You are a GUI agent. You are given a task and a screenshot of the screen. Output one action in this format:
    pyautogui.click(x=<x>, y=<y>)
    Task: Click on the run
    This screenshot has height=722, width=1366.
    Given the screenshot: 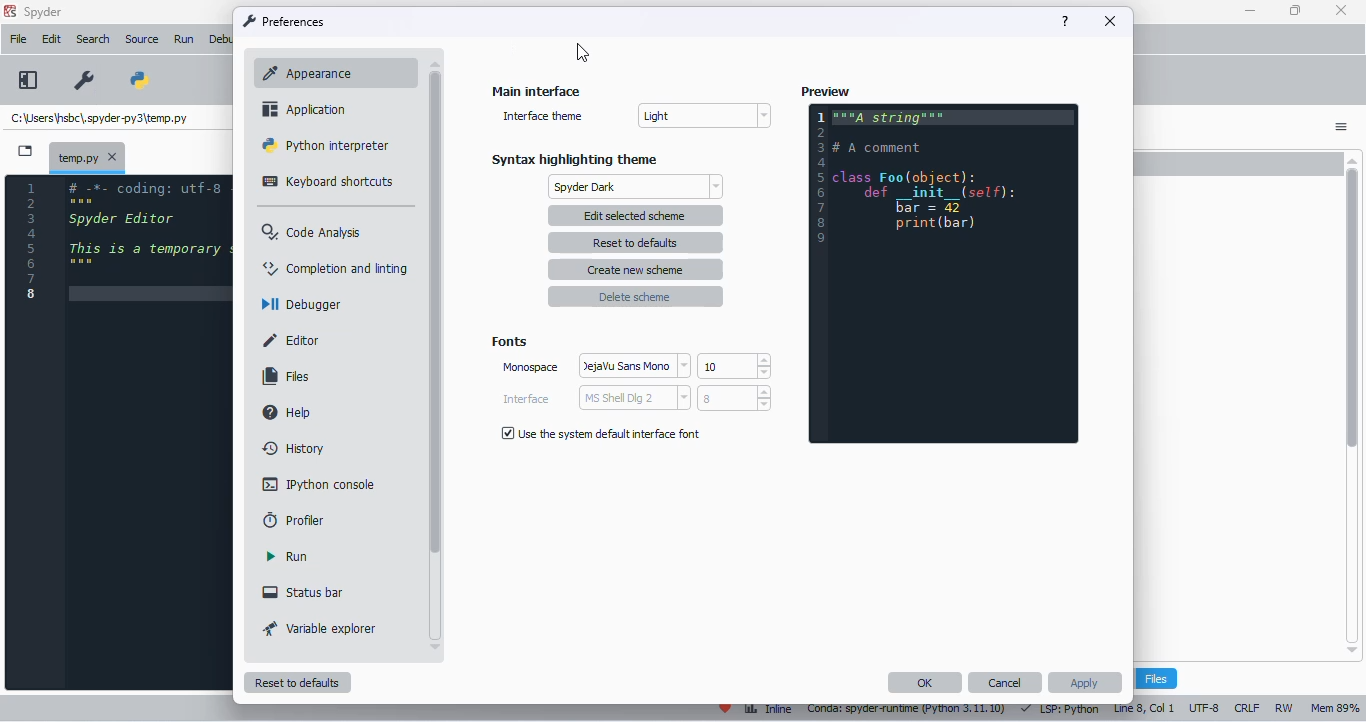 What is the action you would take?
    pyautogui.click(x=287, y=556)
    